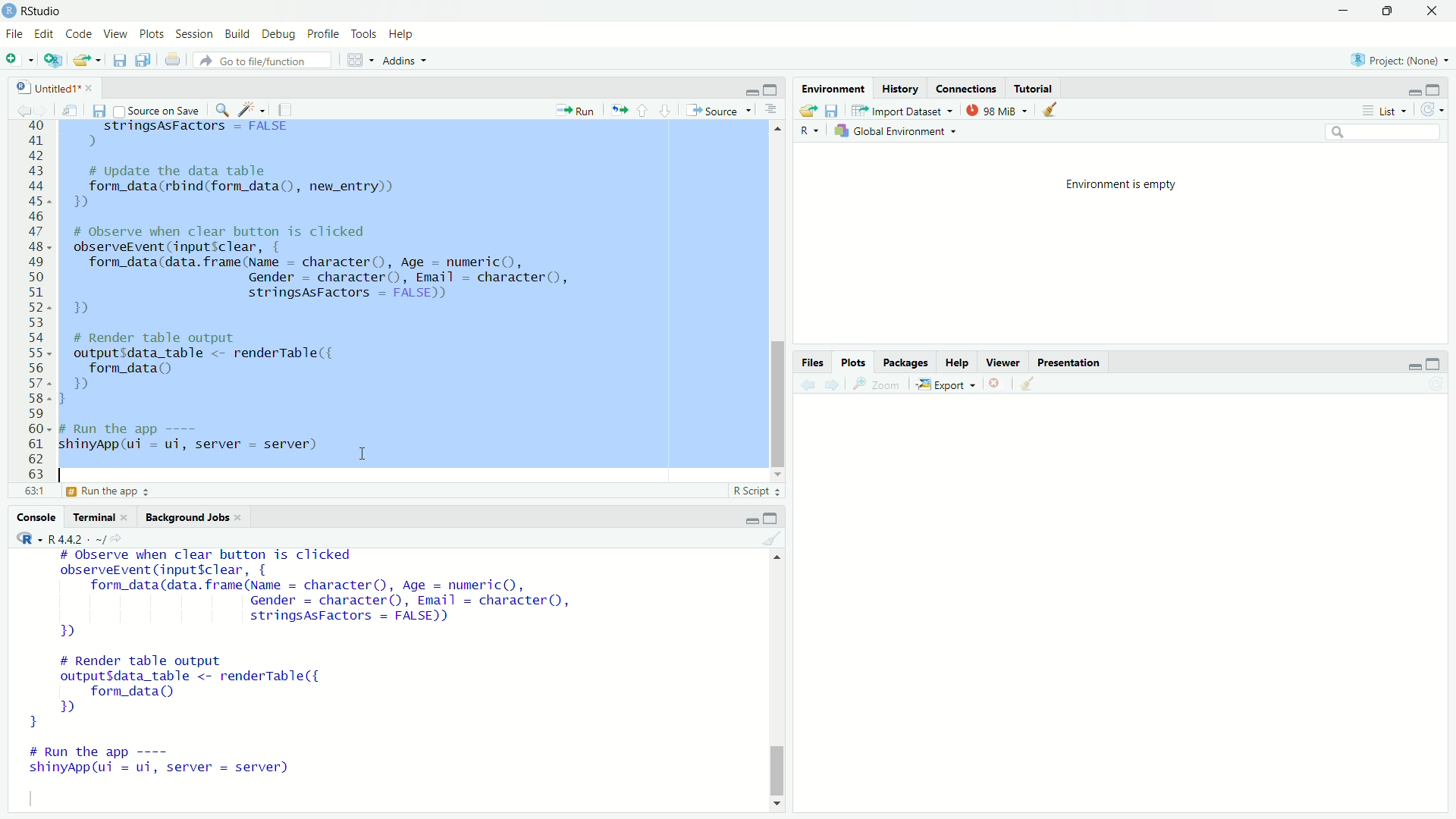 The height and width of the screenshot is (819, 1456). I want to click on code to update the data table, so click(241, 188).